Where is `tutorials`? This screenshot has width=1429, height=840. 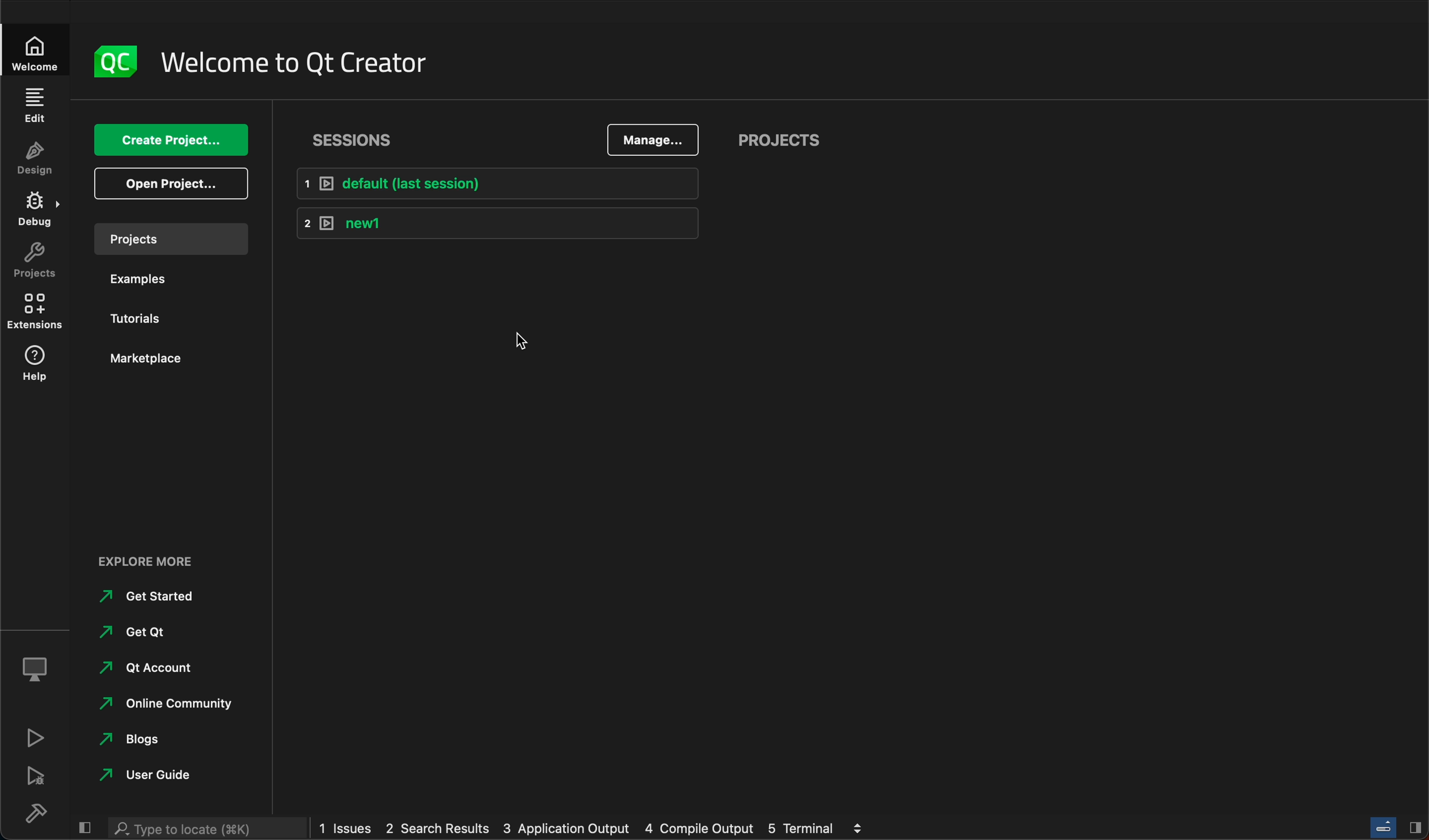 tutorials is located at coordinates (151, 317).